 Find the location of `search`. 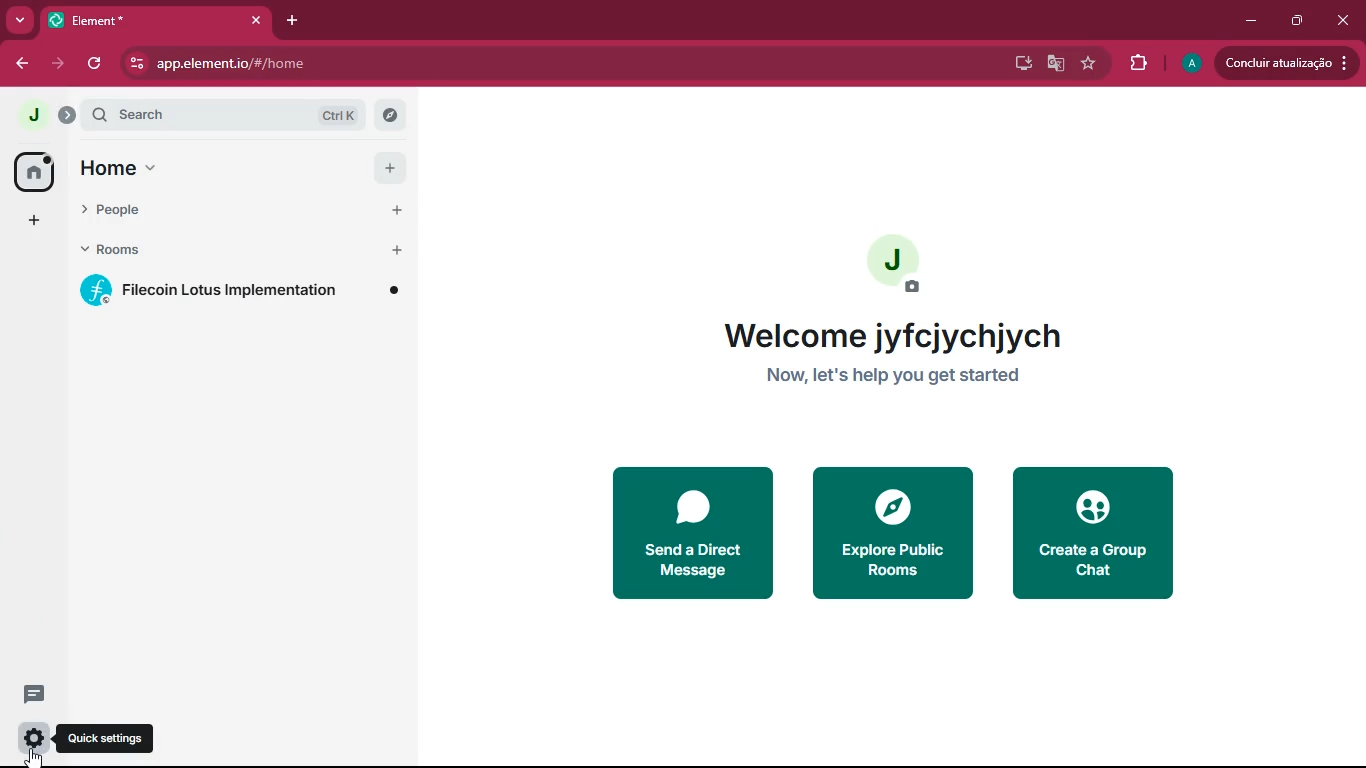

search is located at coordinates (223, 115).